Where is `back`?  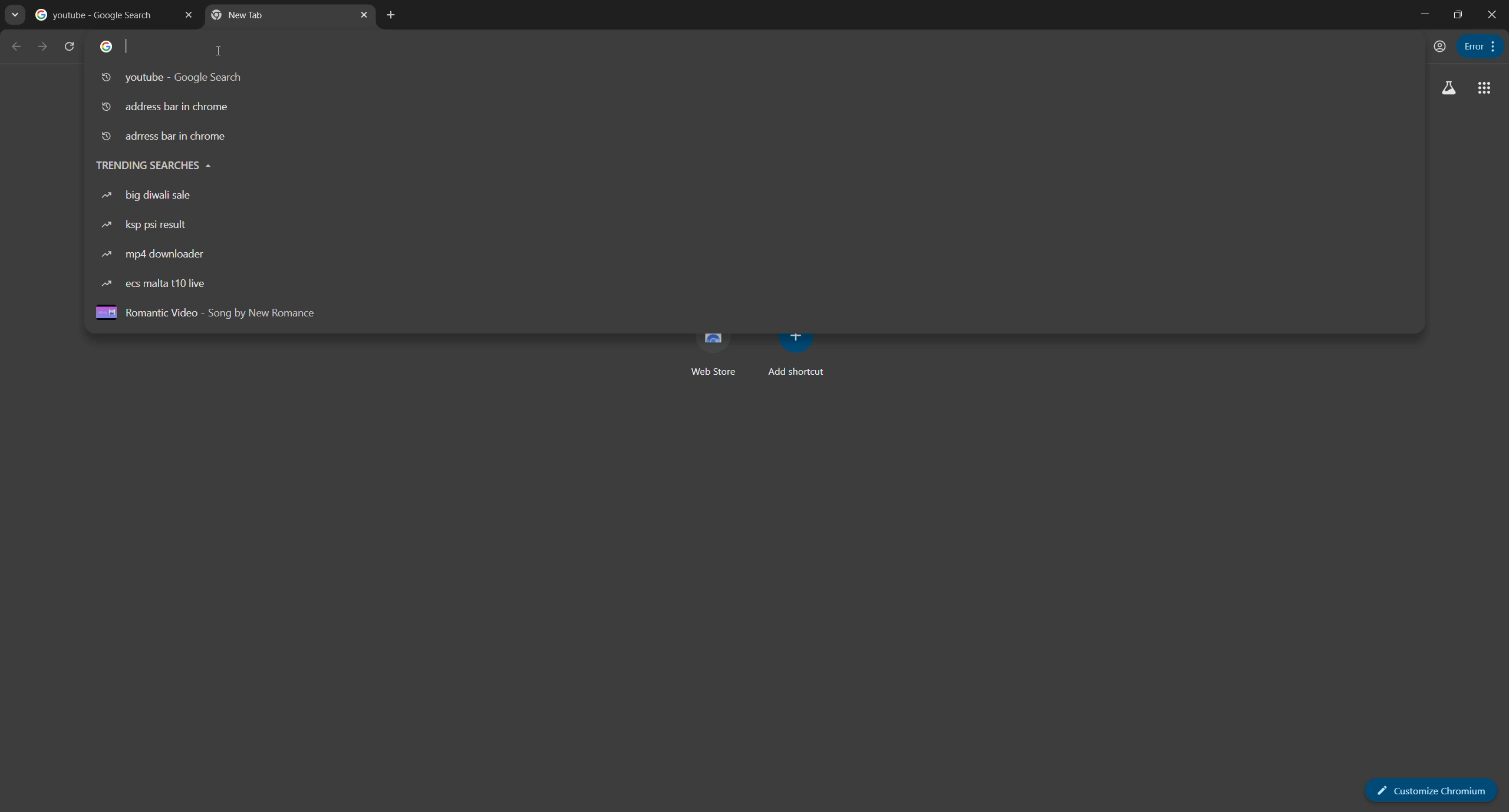
back is located at coordinates (17, 47).